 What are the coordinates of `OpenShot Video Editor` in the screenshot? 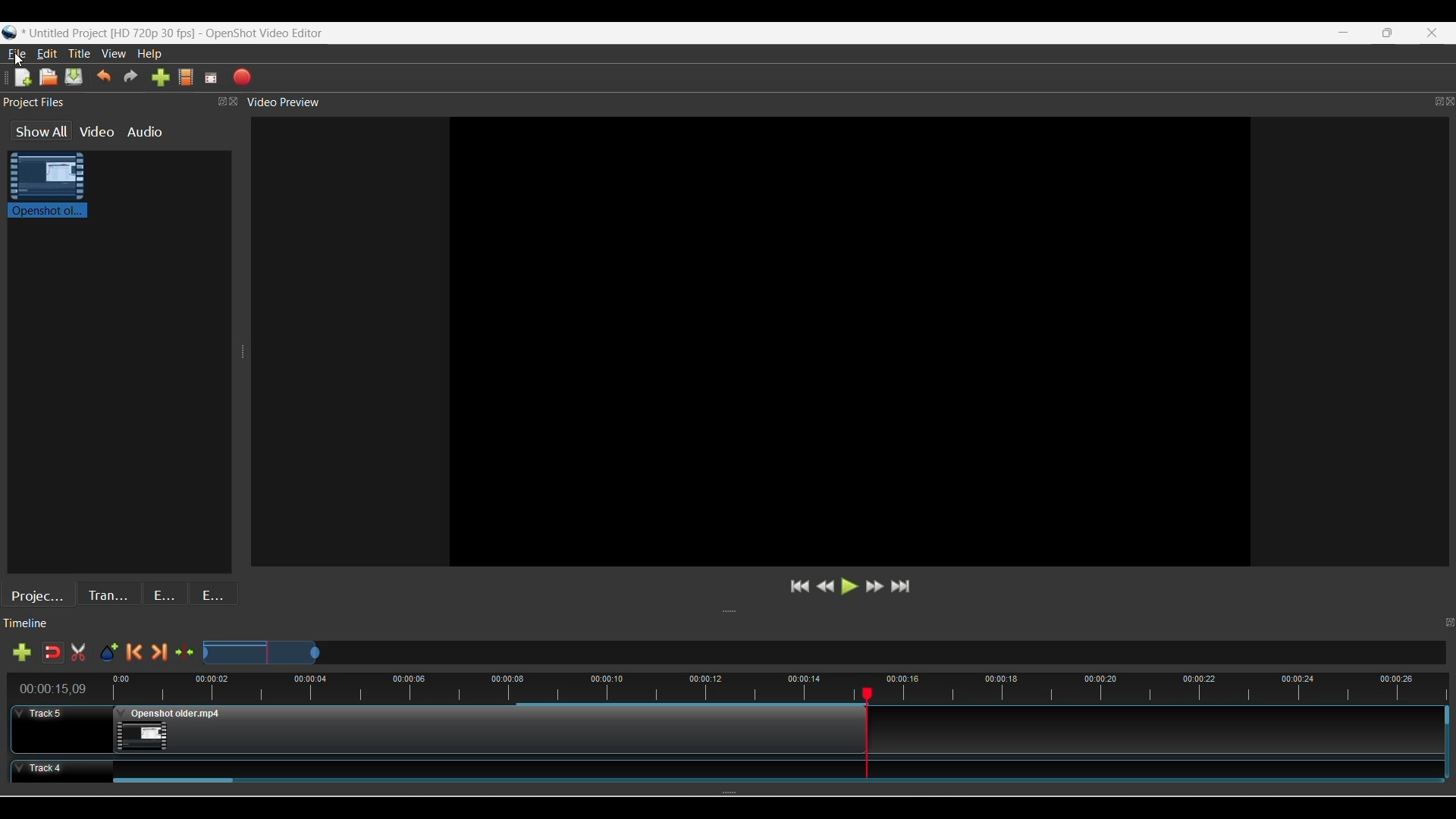 It's located at (266, 34).